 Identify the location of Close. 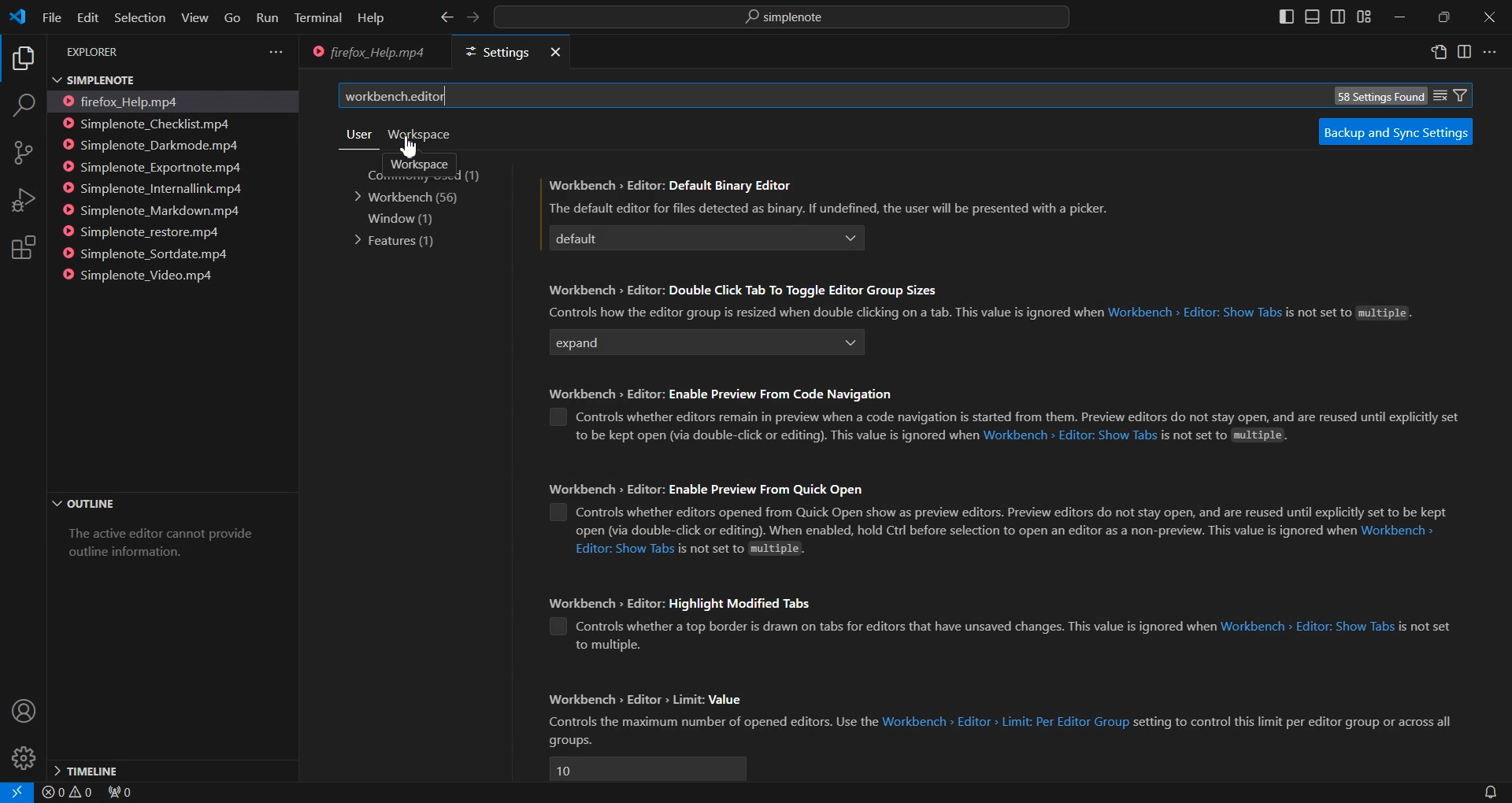
(553, 53).